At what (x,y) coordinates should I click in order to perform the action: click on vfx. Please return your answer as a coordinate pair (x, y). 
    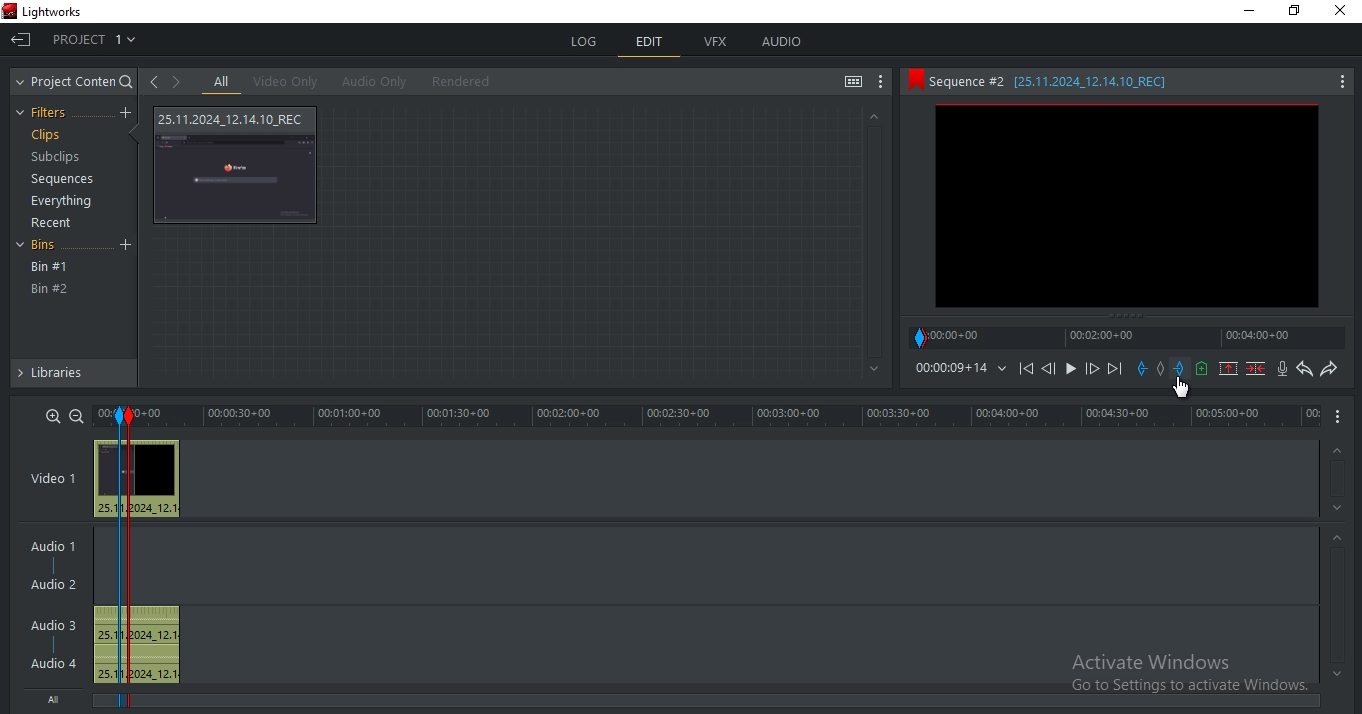
    Looking at the image, I should click on (717, 42).